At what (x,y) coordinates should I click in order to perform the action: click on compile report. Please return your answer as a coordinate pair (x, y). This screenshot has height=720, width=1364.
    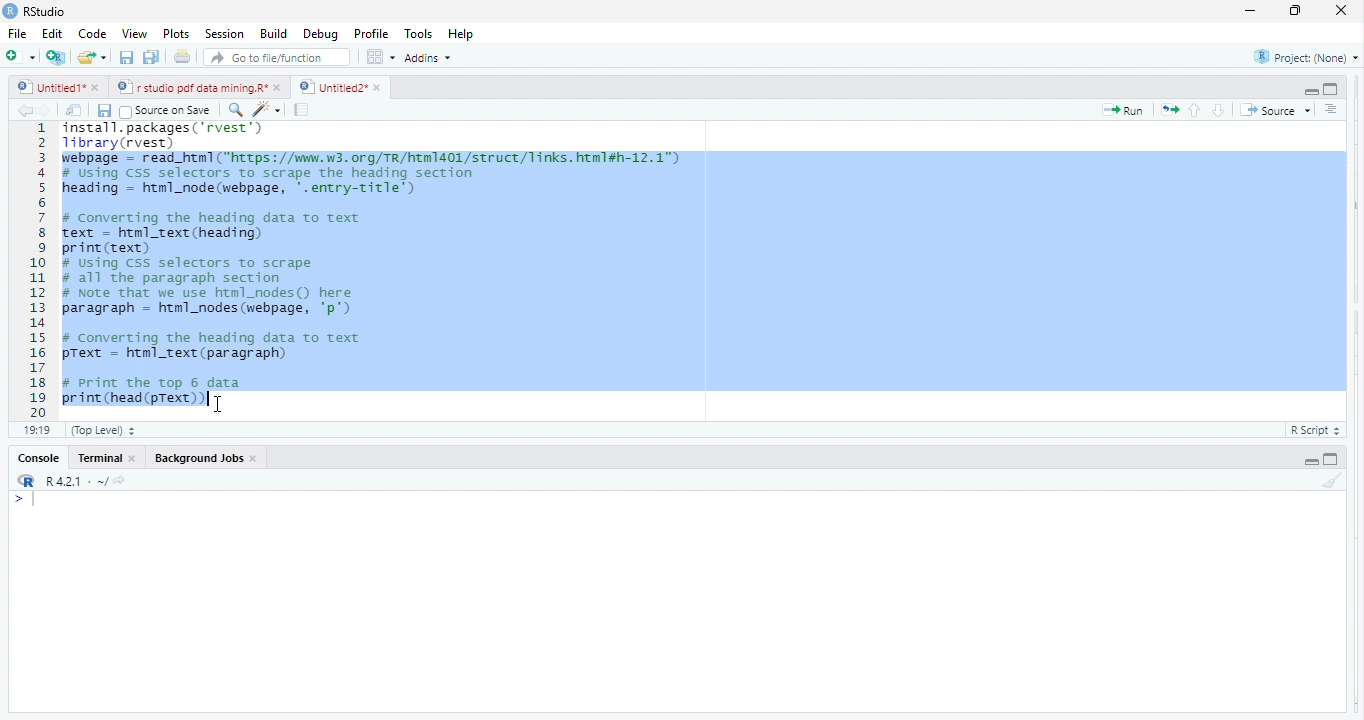
    Looking at the image, I should click on (303, 111).